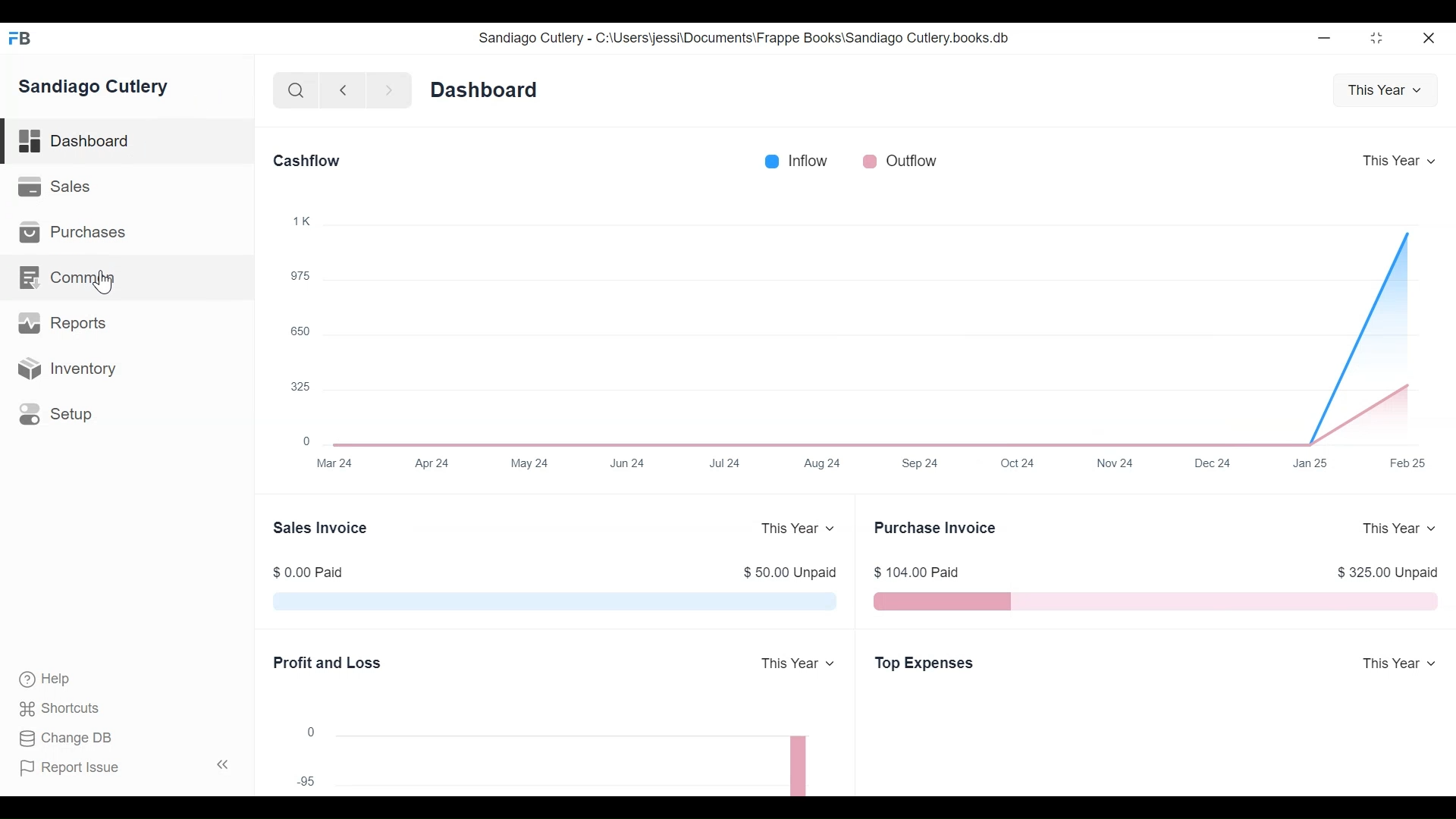 This screenshot has width=1456, height=819. What do you see at coordinates (811, 161) in the screenshot?
I see `Inflow` at bounding box center [811, 161].